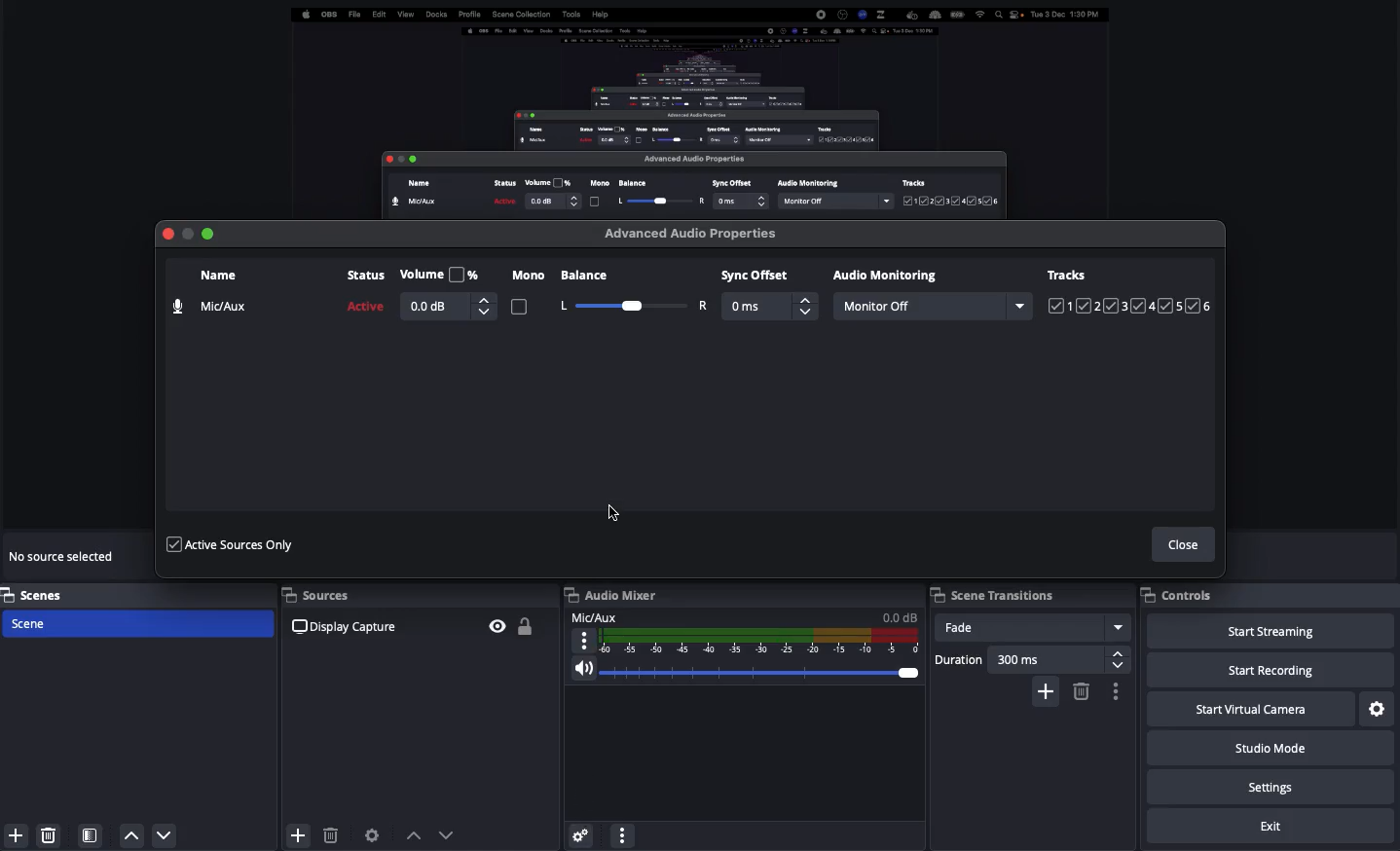  What do you see at coordinates (299, 835) in the screenshot?
I see `add` at bounding box center [299, 835].